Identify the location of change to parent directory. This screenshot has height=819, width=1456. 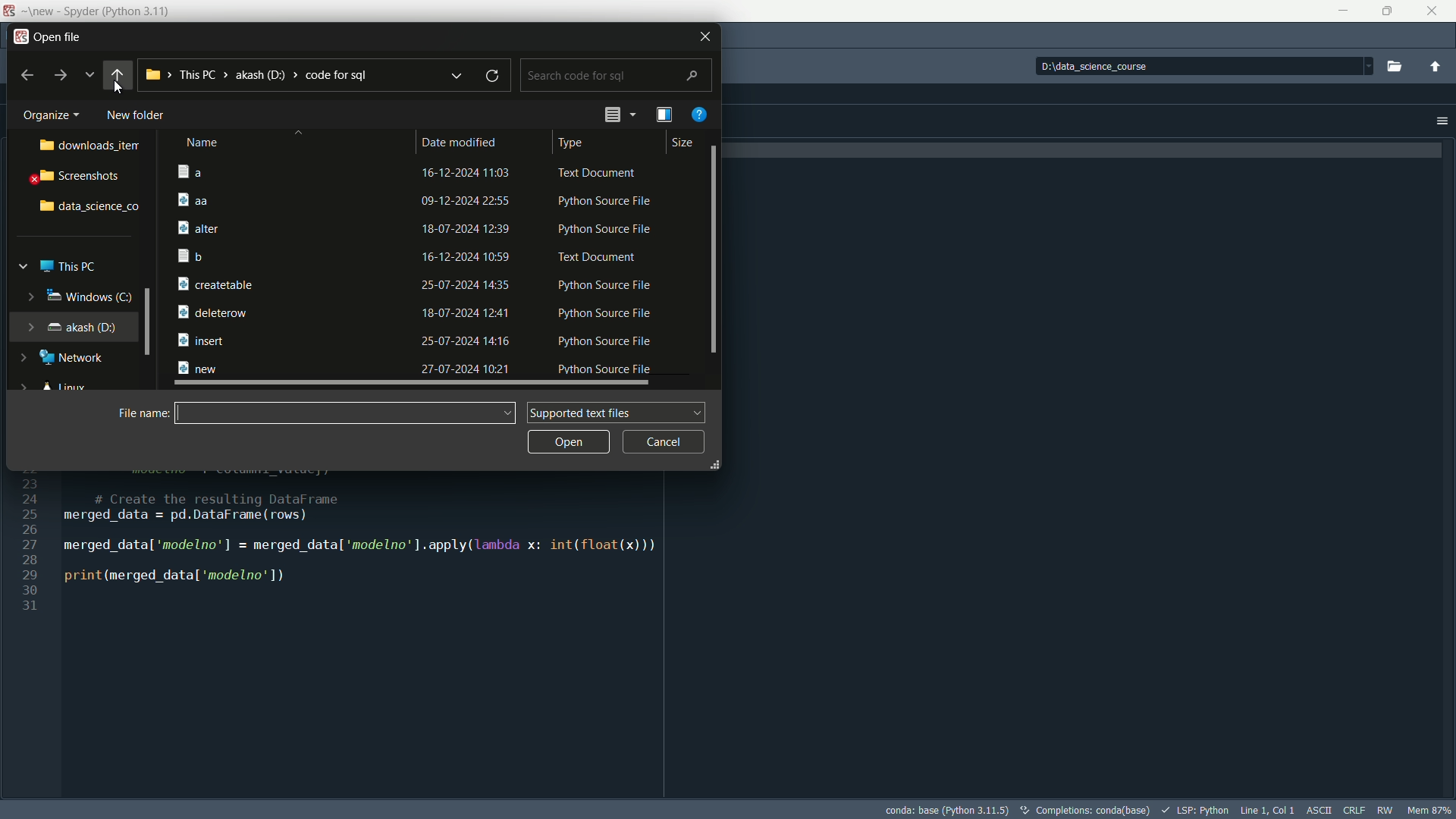
(1436, 66).